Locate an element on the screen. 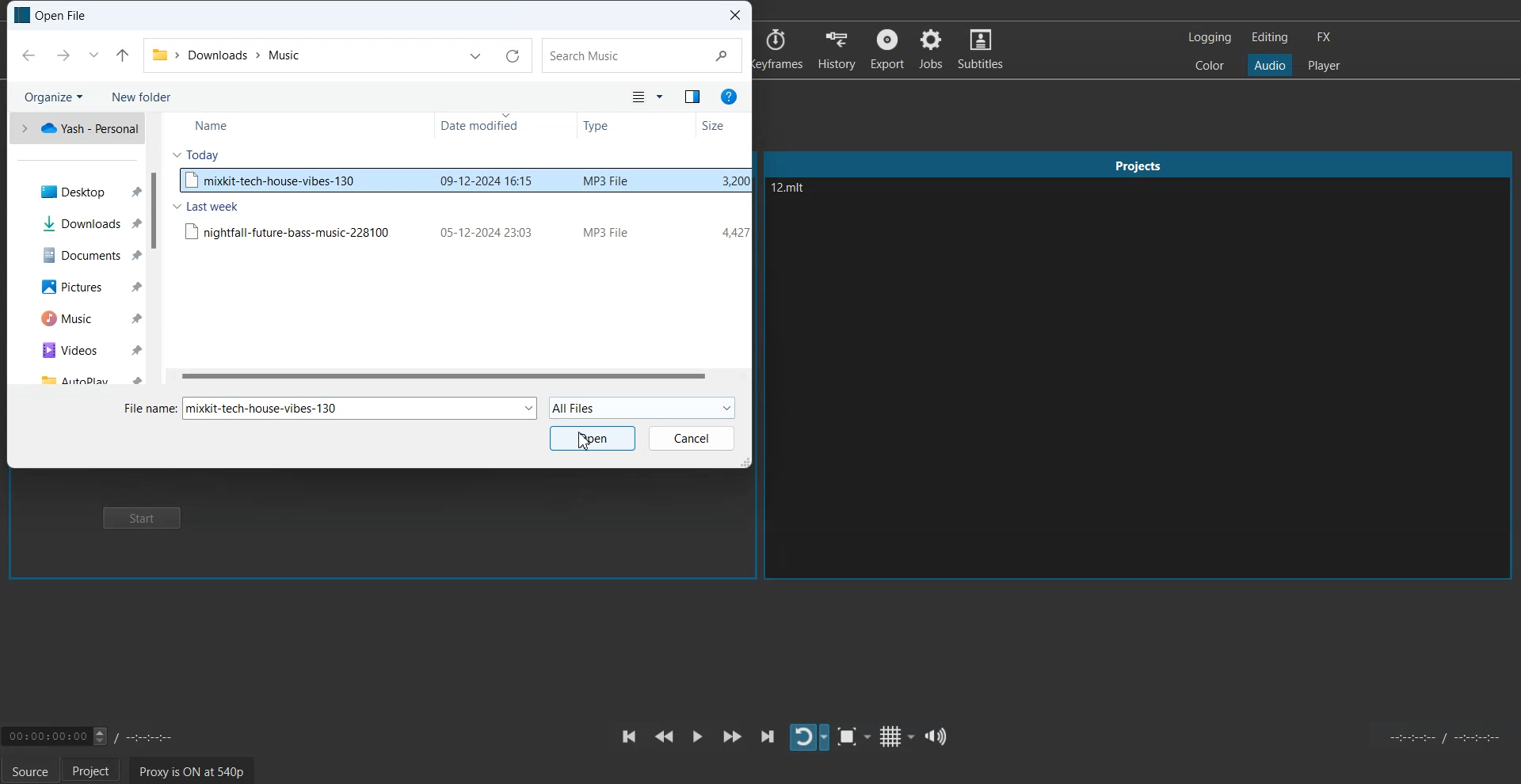 The width and height of the screenshot is (1521, 784). Jobs is located at coordinates (932, 49).